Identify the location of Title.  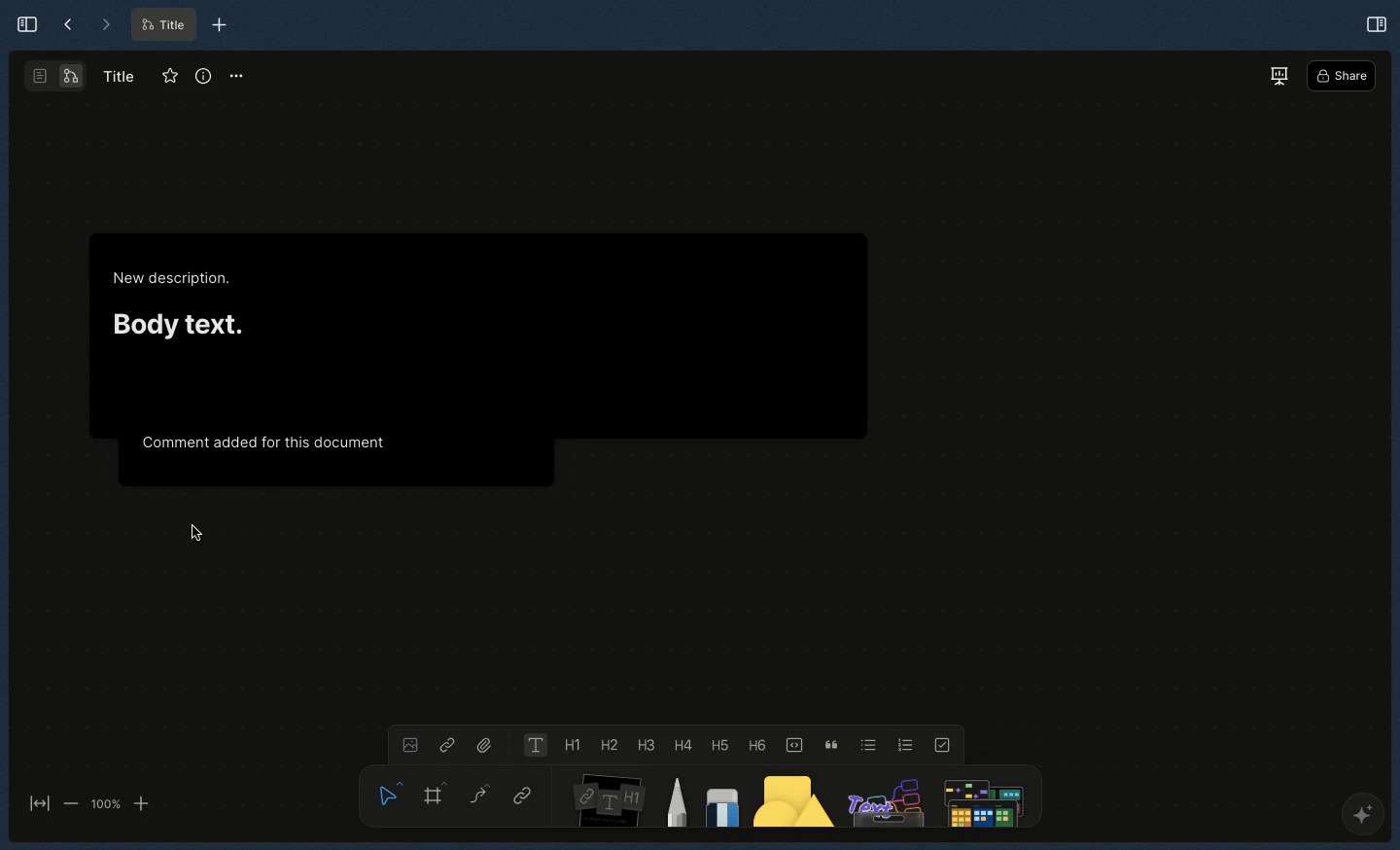
(117, 75).